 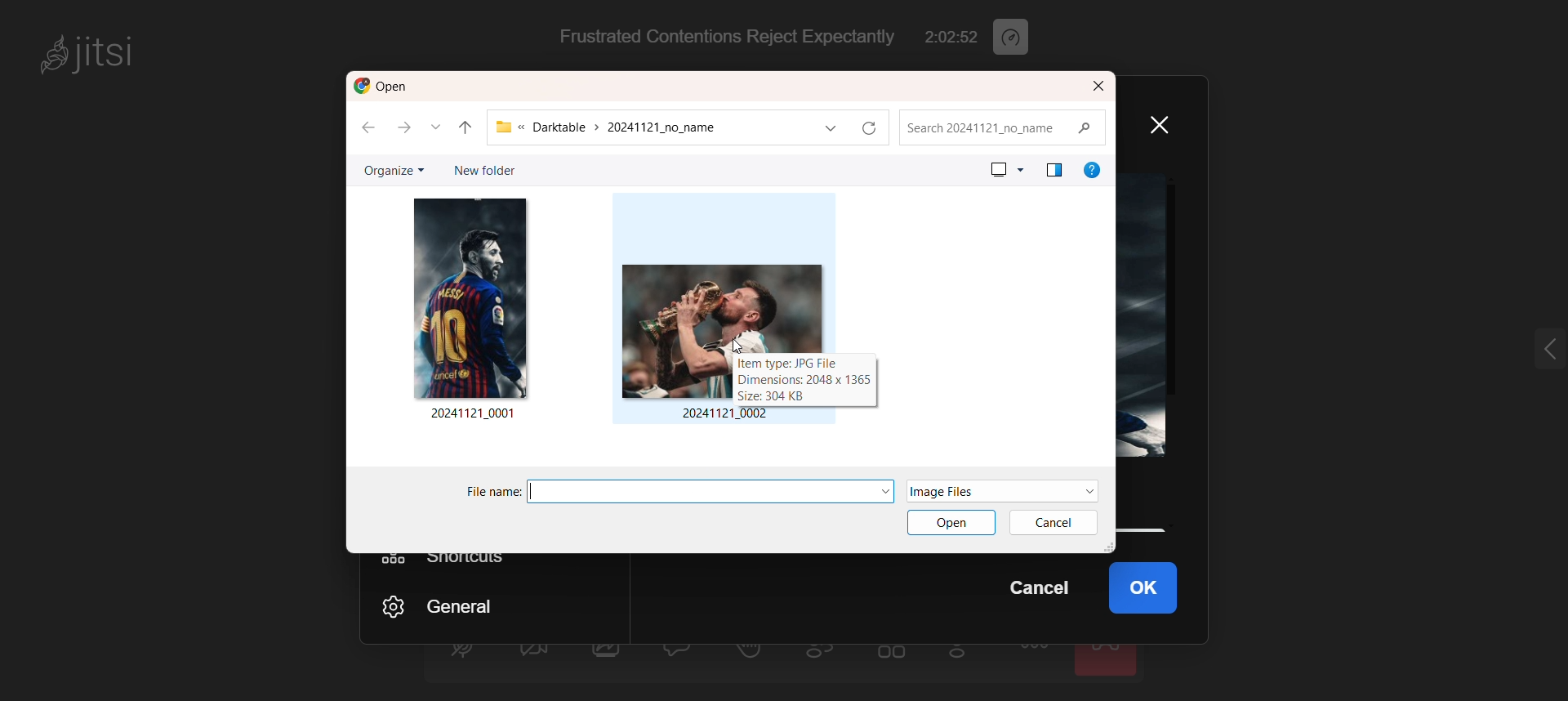 What do you see at coordinates (949, 526) in the screenshot?
I see `open` at bounding box center [949, 526].